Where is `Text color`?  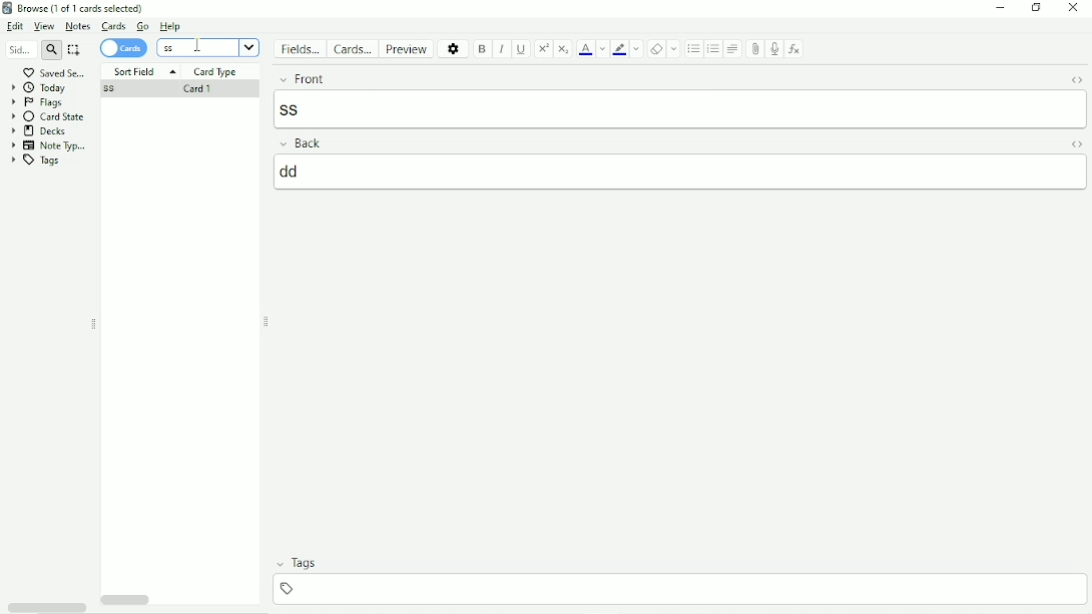 Text color is located at coordinates (585, 49).